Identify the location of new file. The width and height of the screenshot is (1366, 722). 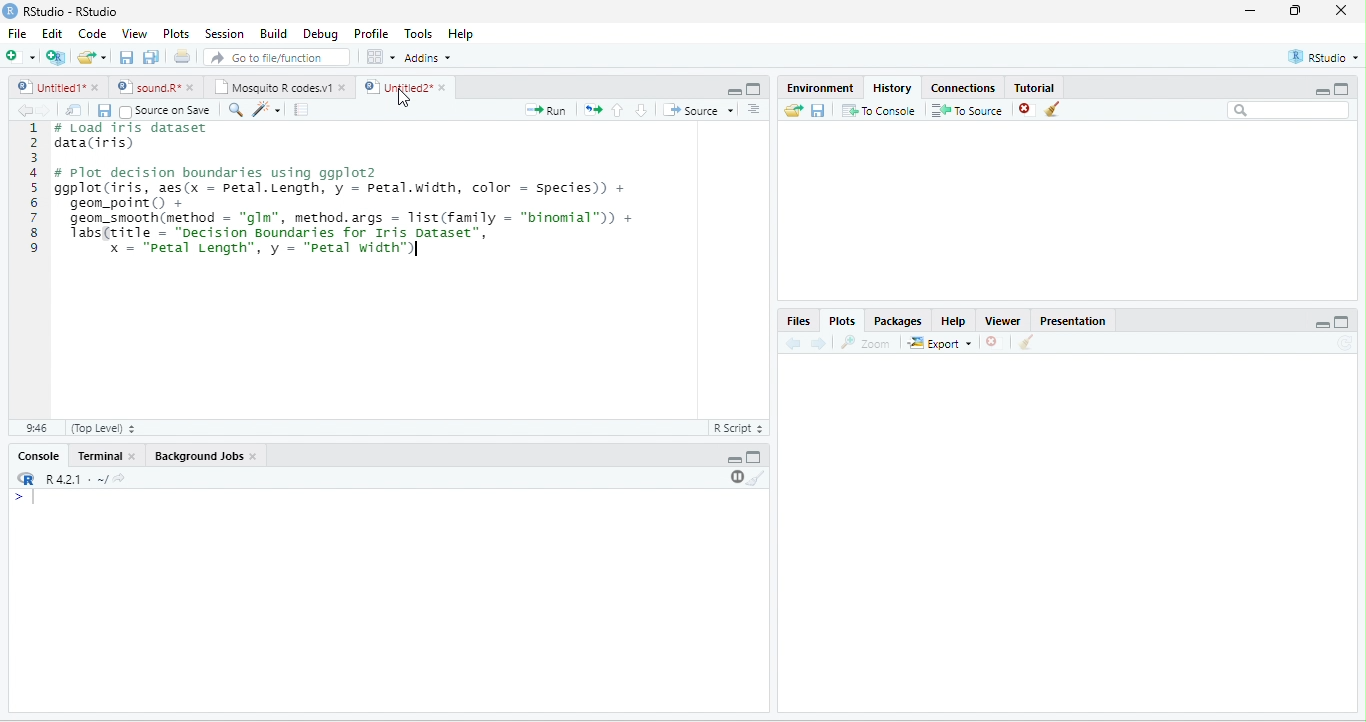
(20, 56).